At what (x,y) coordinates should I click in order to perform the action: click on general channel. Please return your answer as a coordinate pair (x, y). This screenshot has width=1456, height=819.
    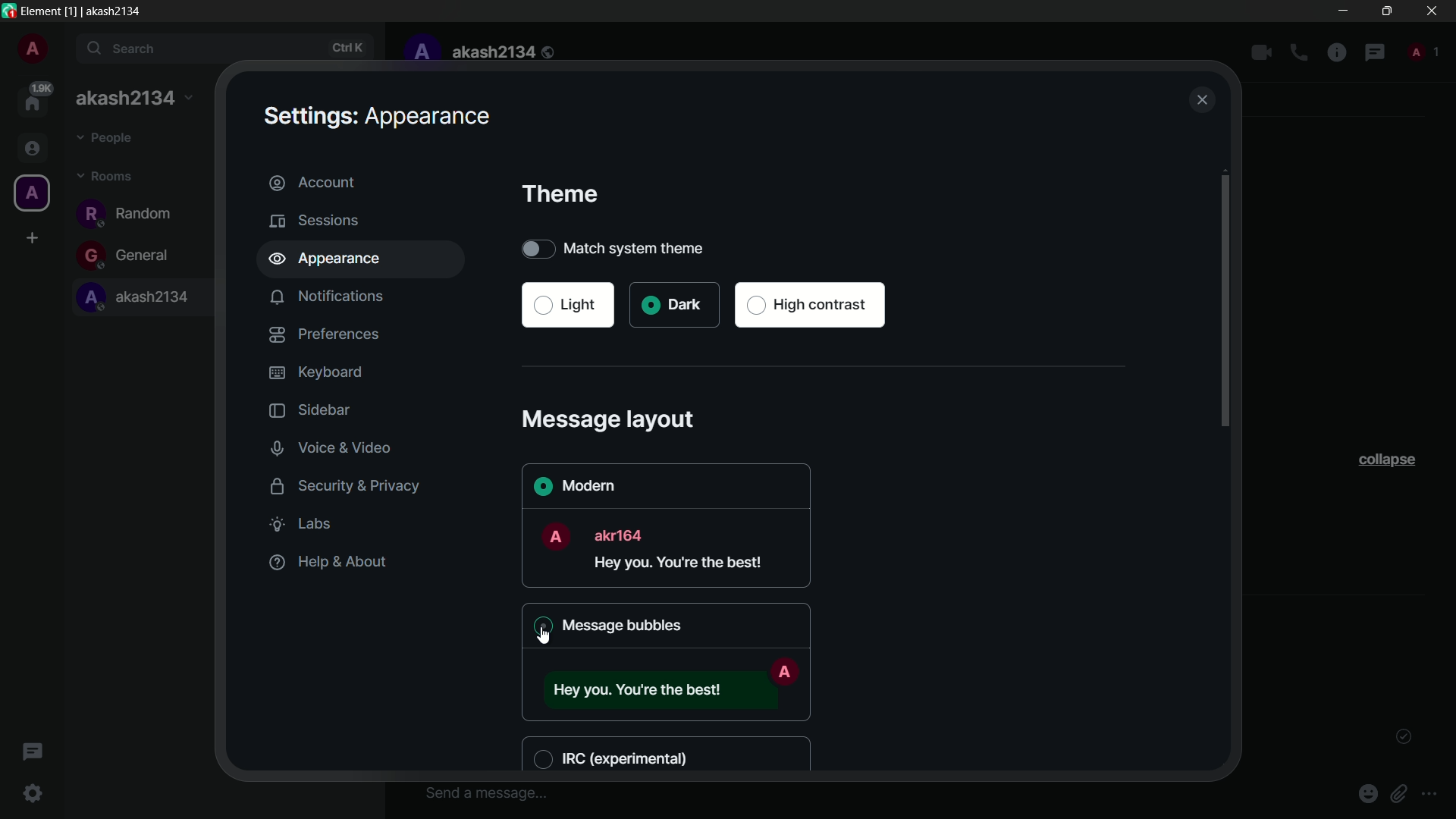
    Looking at the image, I should click on (129, 256).